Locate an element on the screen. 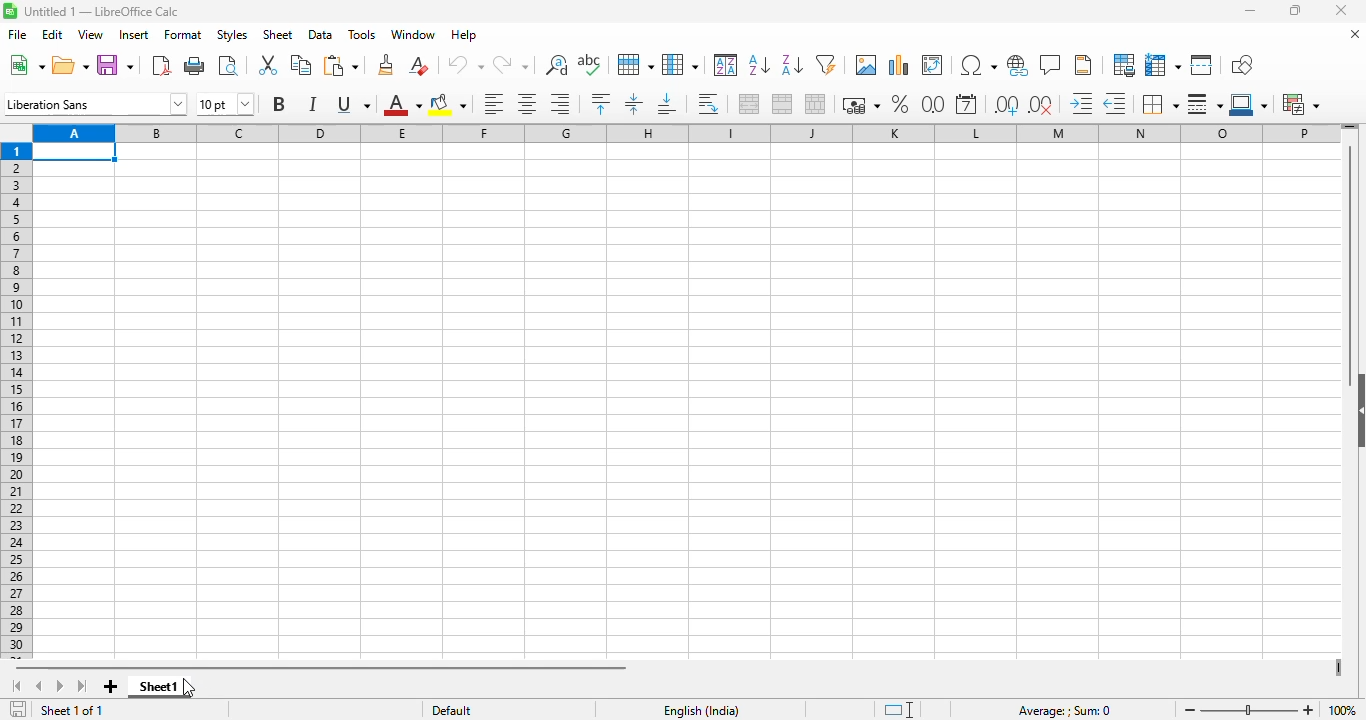  autoFilter is located at coordinates (826, 65).